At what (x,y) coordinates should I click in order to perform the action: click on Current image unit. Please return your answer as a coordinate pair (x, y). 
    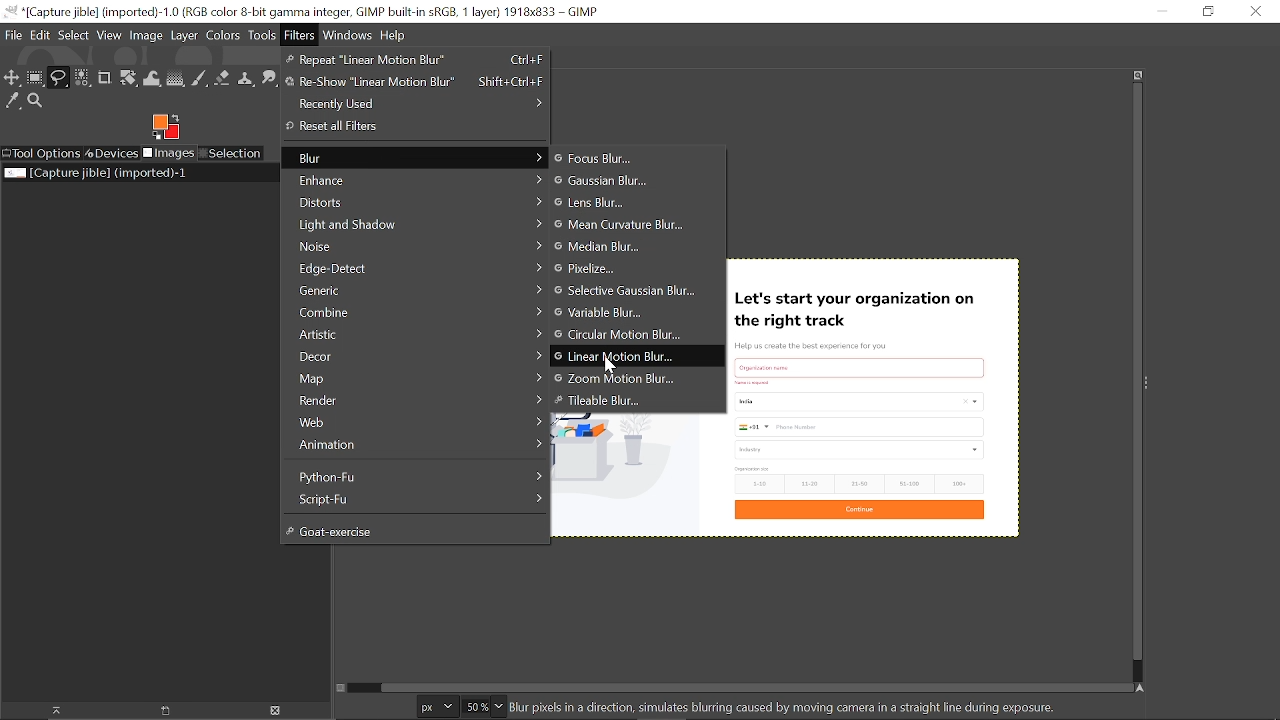
    Looking at the image, I should click on (435, 707).